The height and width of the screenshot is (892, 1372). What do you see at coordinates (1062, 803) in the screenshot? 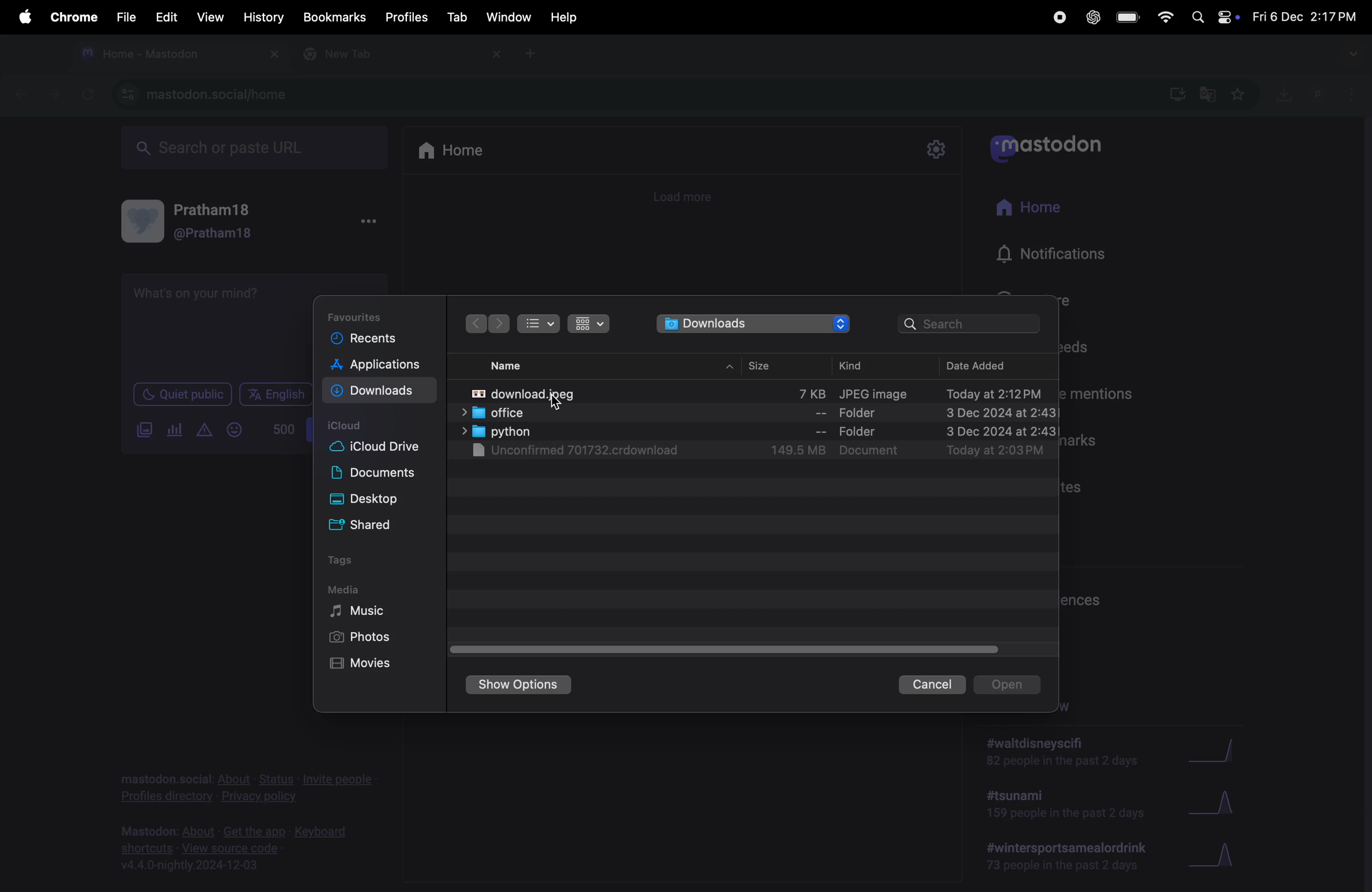
I see `#tsunami` at bounding box center [1062, 803].